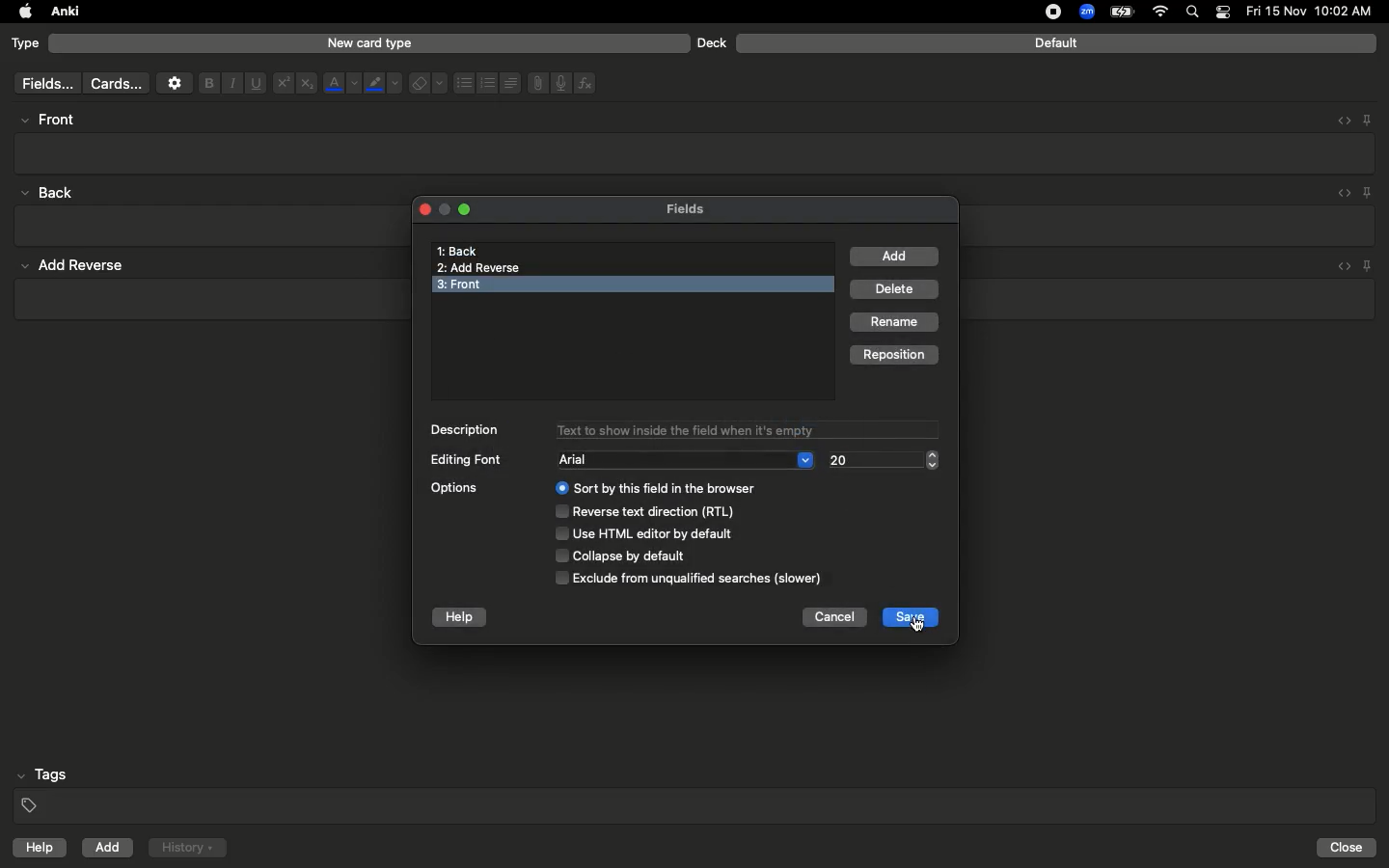 Image resolution: width=1389 pixels, height=868 pixels. Describe the element at coordinates (894, 353) in the screenshot. I see `reposition` at that location.